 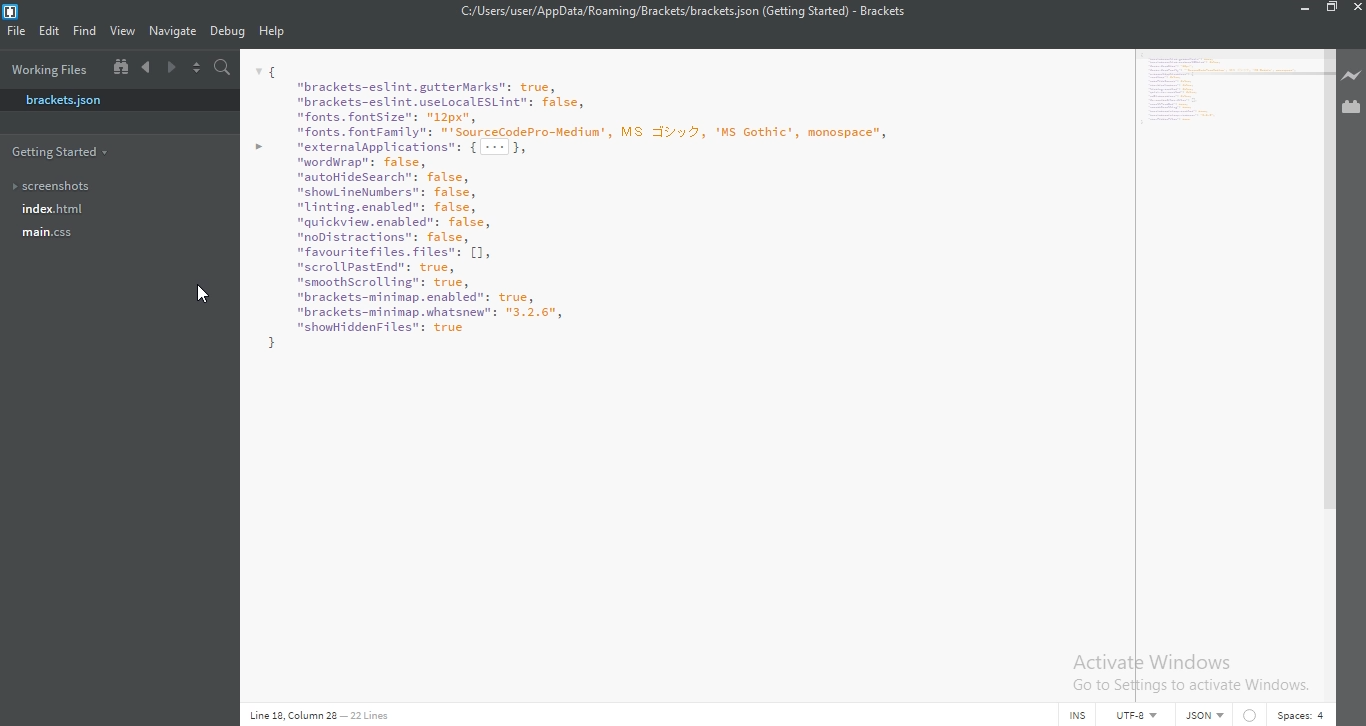 What do you see at coordinates (173, 67) in the screenshot?
I see `Next document` at bounding box center [173, 67].